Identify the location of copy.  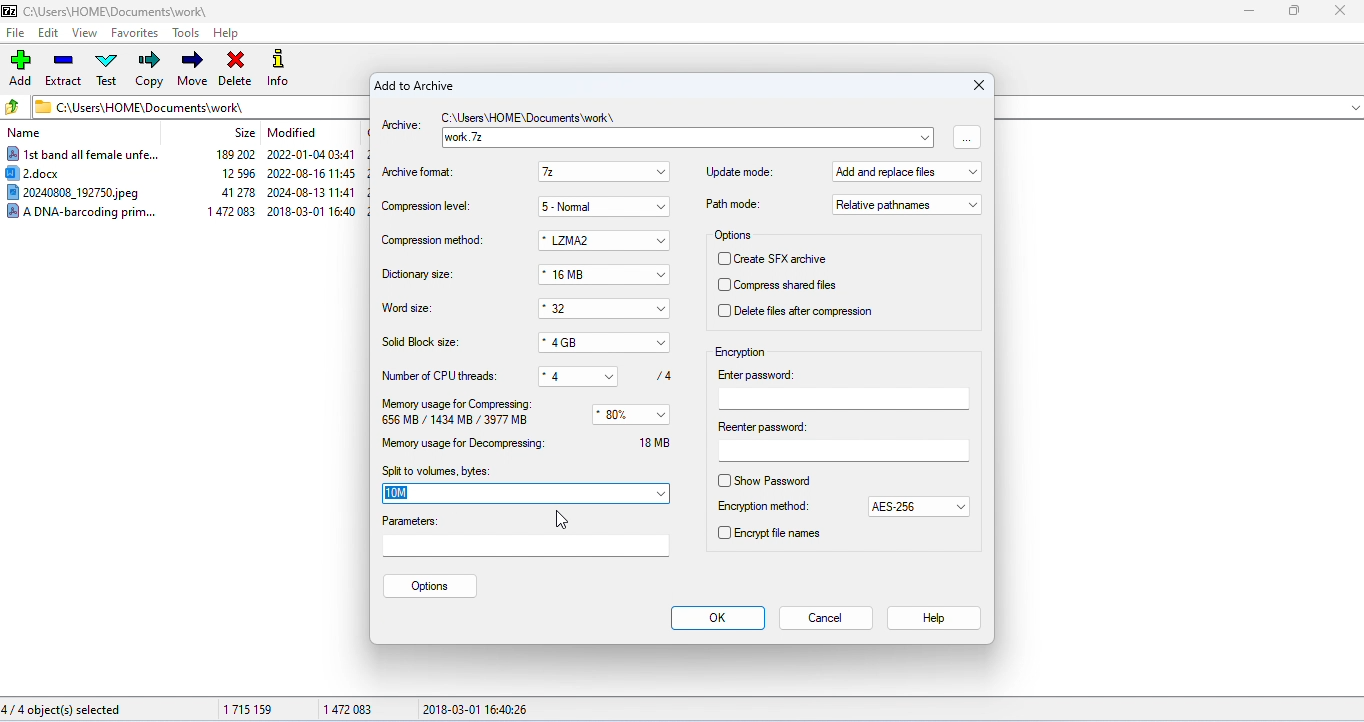
(151, 69).